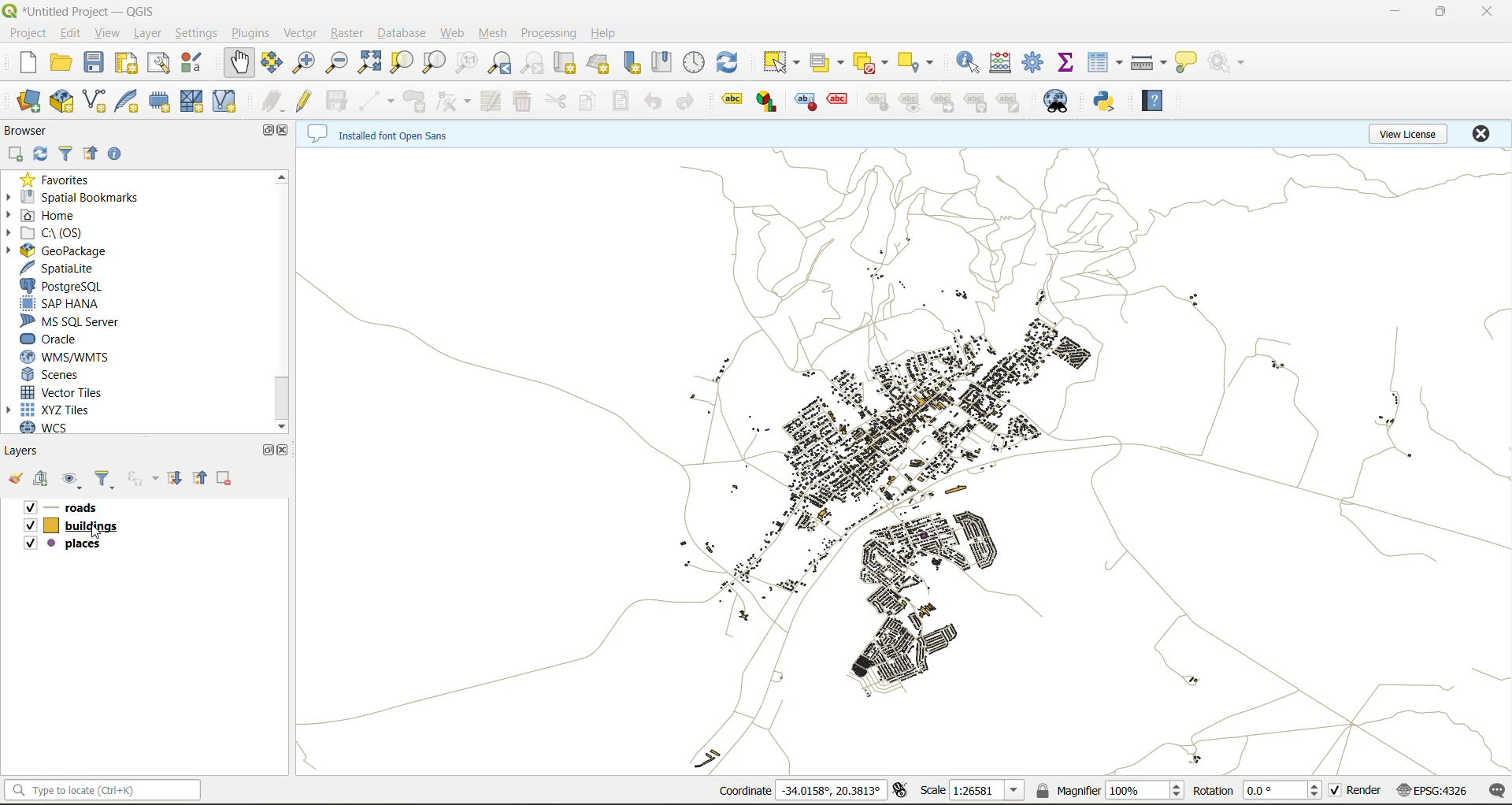 The image size is (1512, 805). I want to click on close, so click(286, 451).